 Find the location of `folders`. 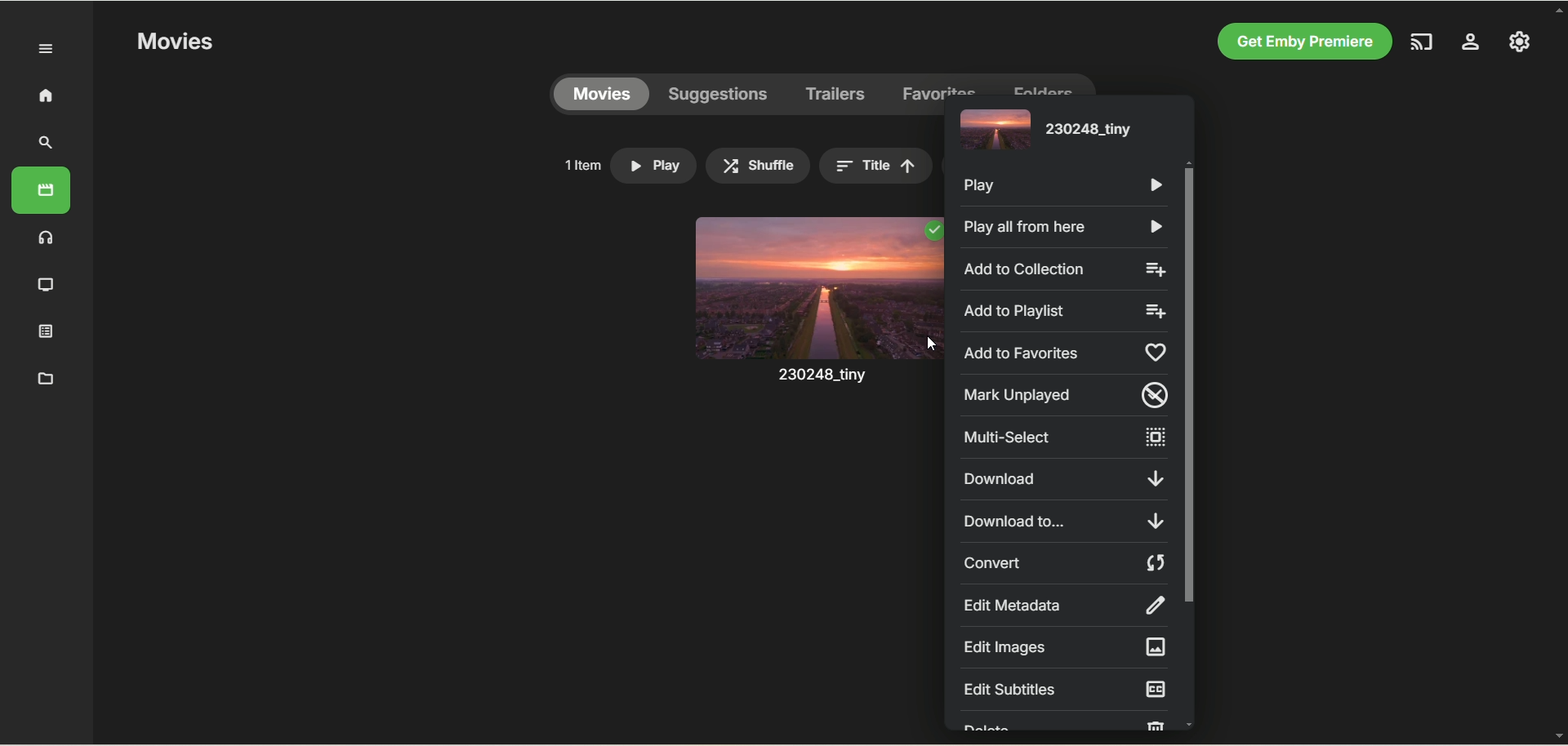

folders is located at coordinates (1042, 84).